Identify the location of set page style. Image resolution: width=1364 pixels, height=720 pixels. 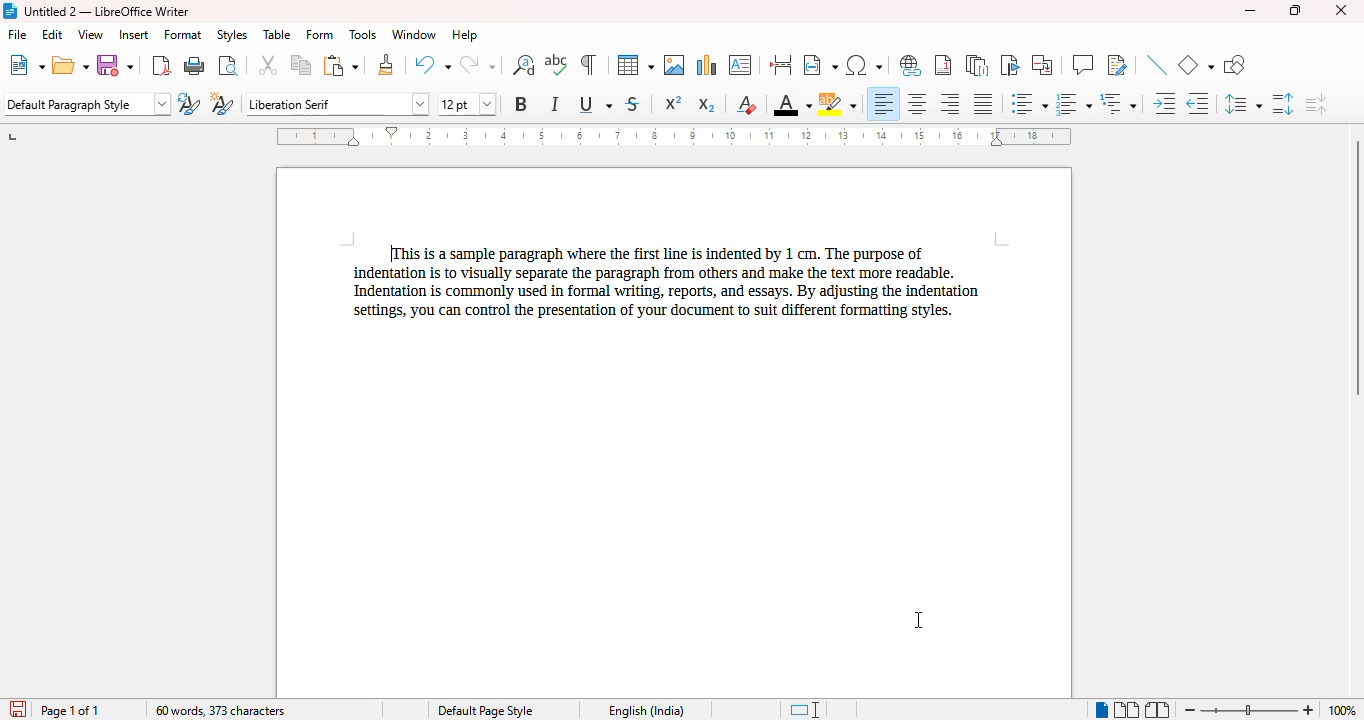
(87, 104).